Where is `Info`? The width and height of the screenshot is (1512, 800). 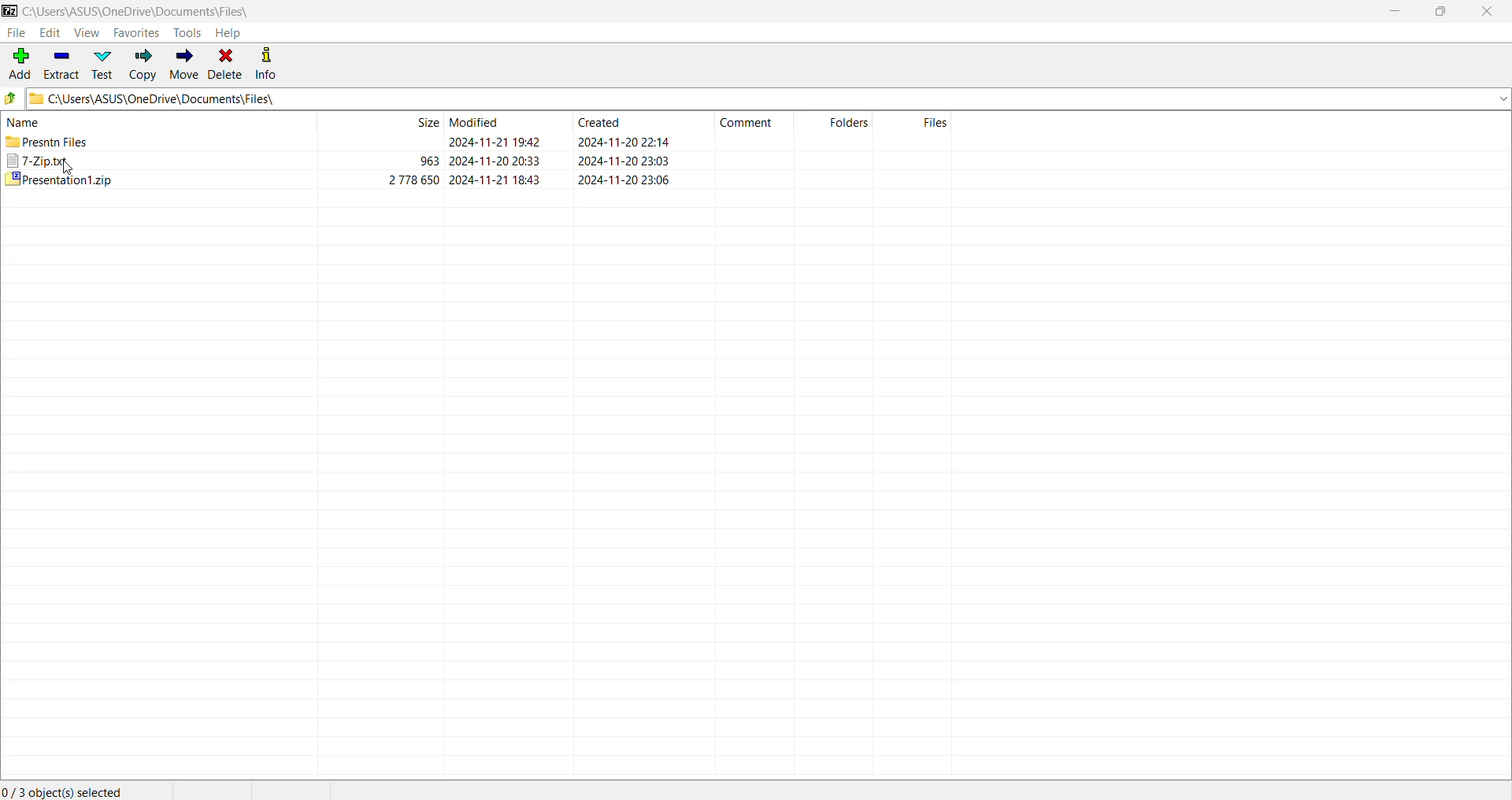
Info is located at coordinates (272, 64).